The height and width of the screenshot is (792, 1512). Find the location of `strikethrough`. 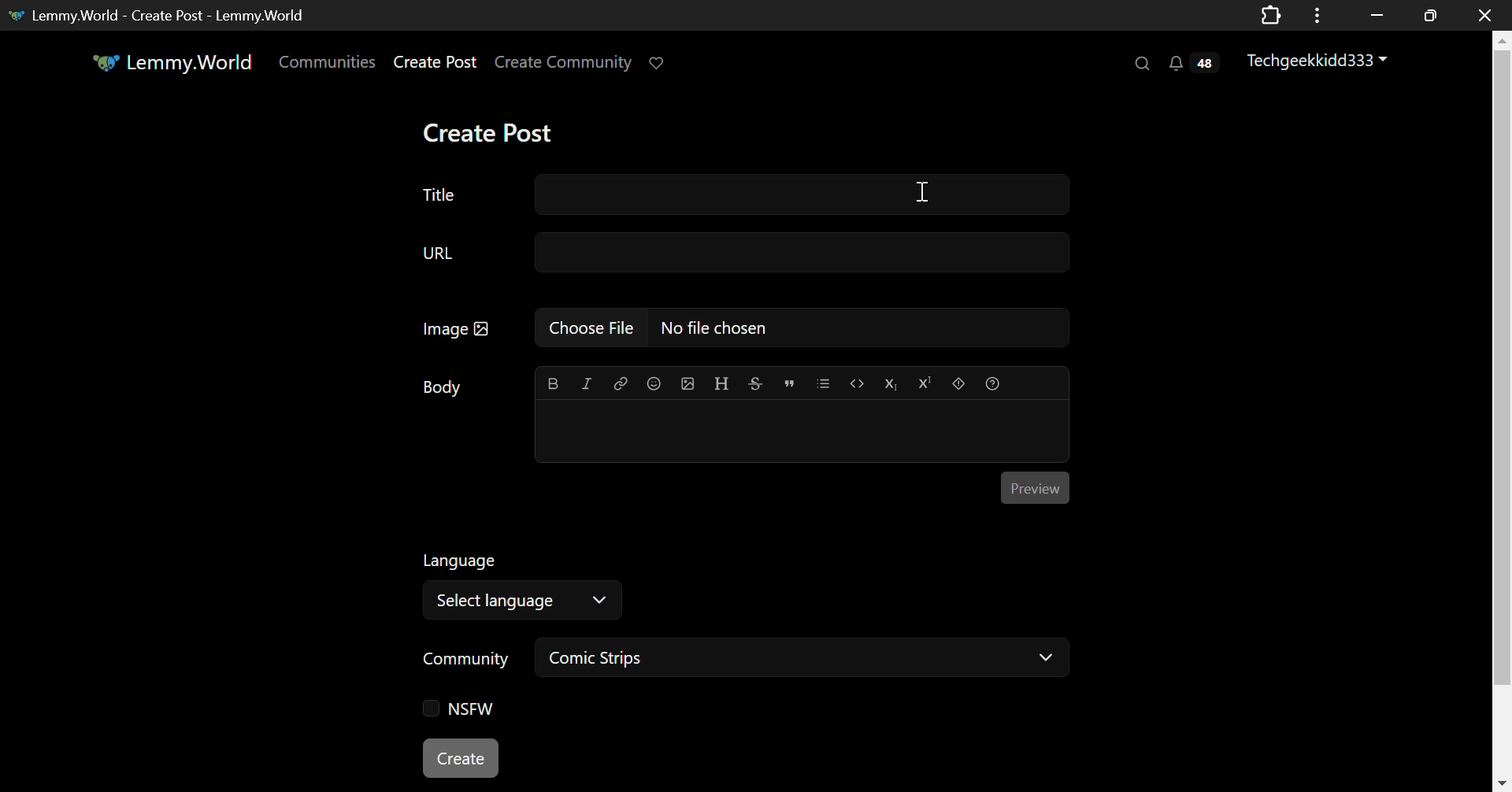

strikethrough is located at coordinates (755, 384).